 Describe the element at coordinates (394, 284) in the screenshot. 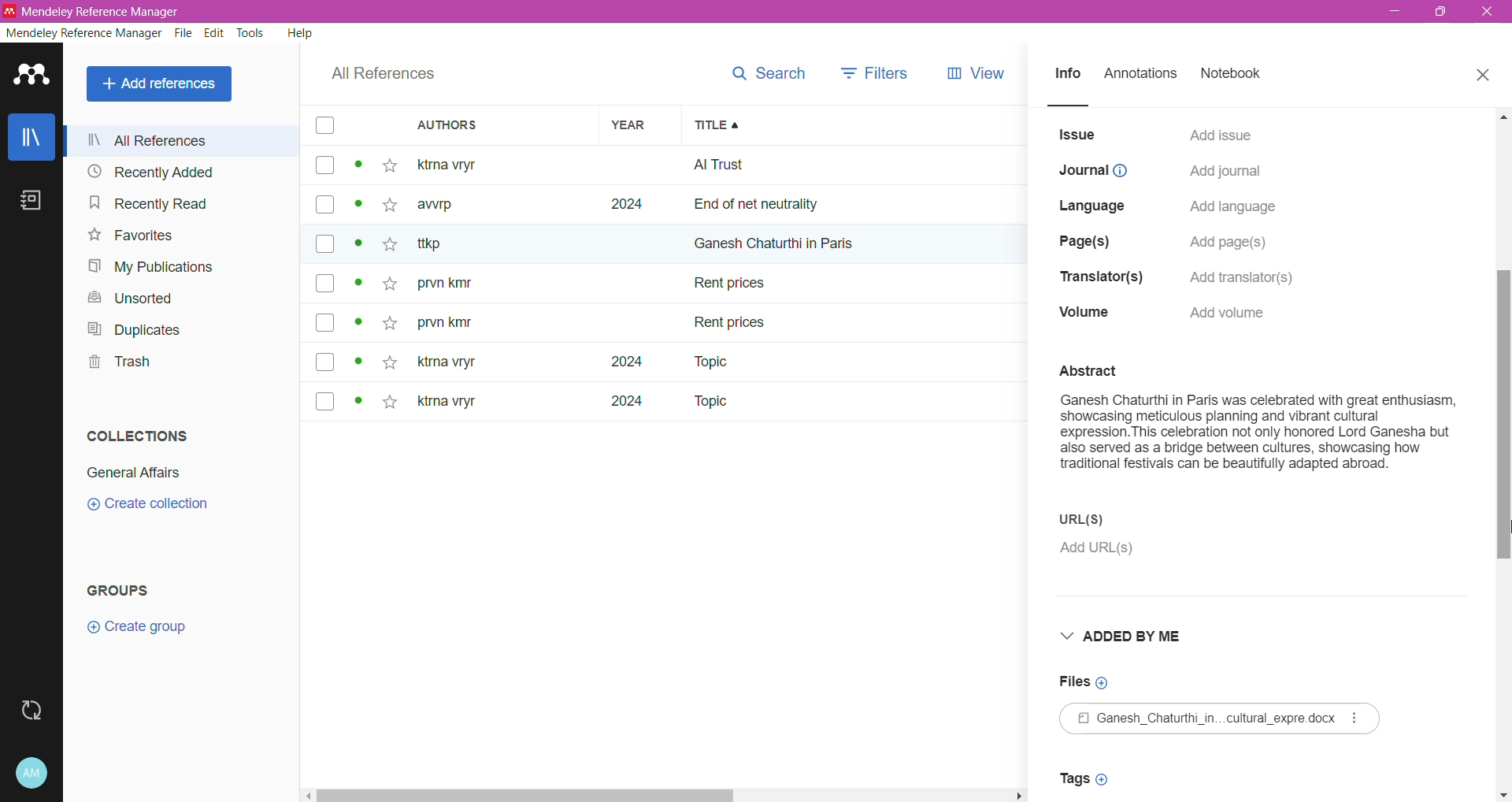

I see `Click to add the reference item to Favorites` at that location.